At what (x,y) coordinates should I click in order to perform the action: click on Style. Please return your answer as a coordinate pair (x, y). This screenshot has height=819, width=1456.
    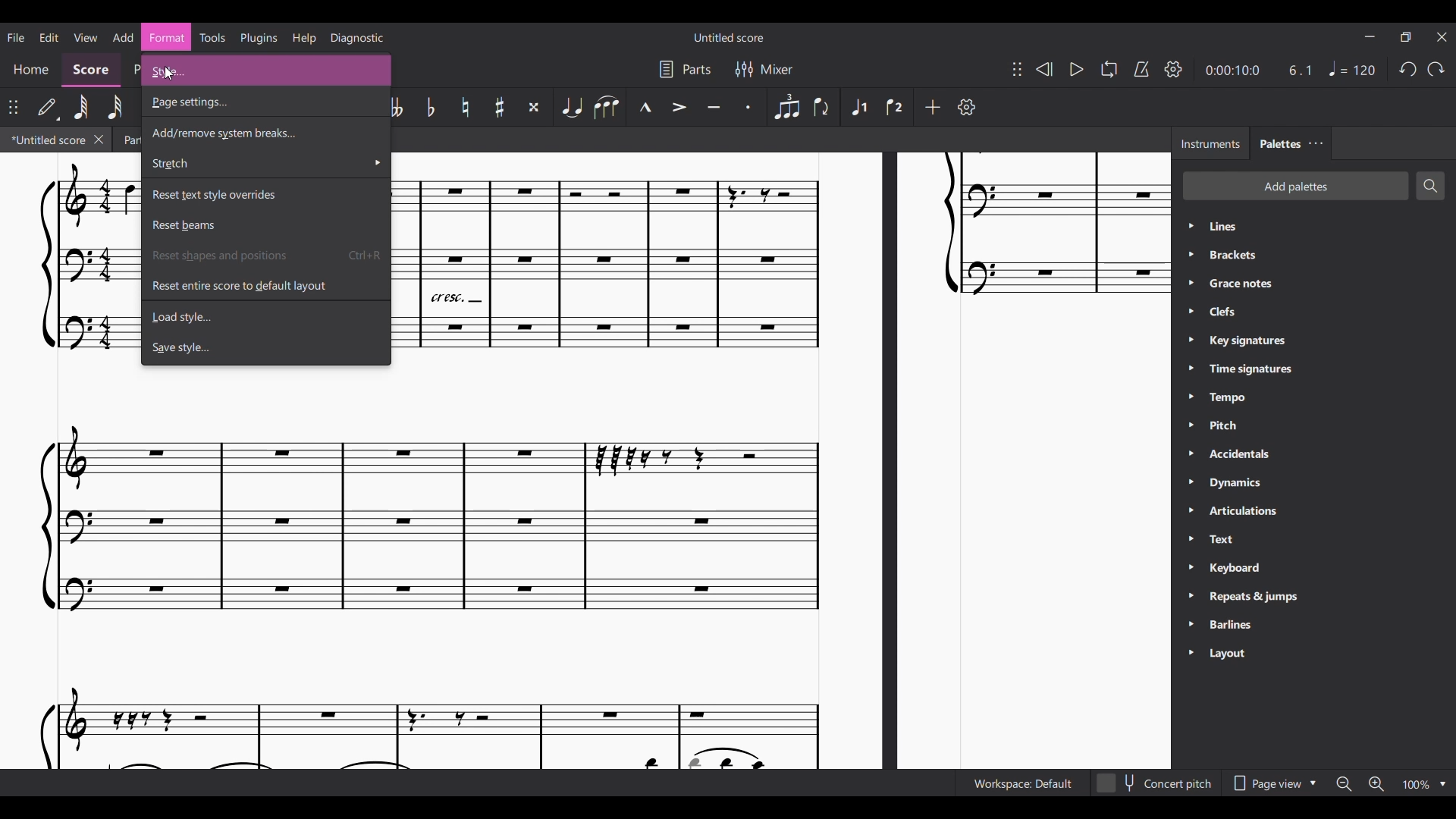
    Looking at the image, I should click on (266, 70).